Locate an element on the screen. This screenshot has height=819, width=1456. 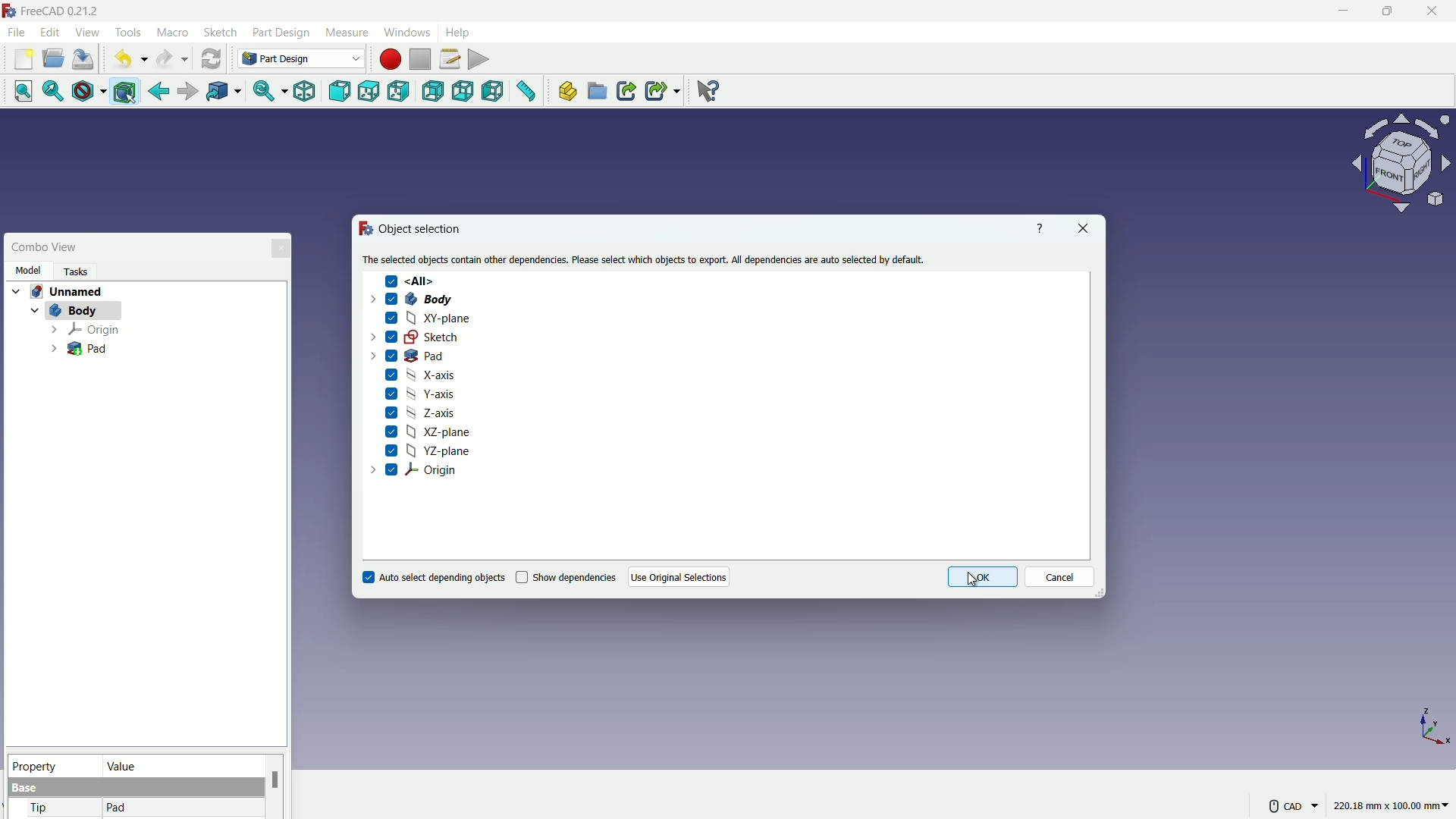
pad is located at coordinates (117, 808).